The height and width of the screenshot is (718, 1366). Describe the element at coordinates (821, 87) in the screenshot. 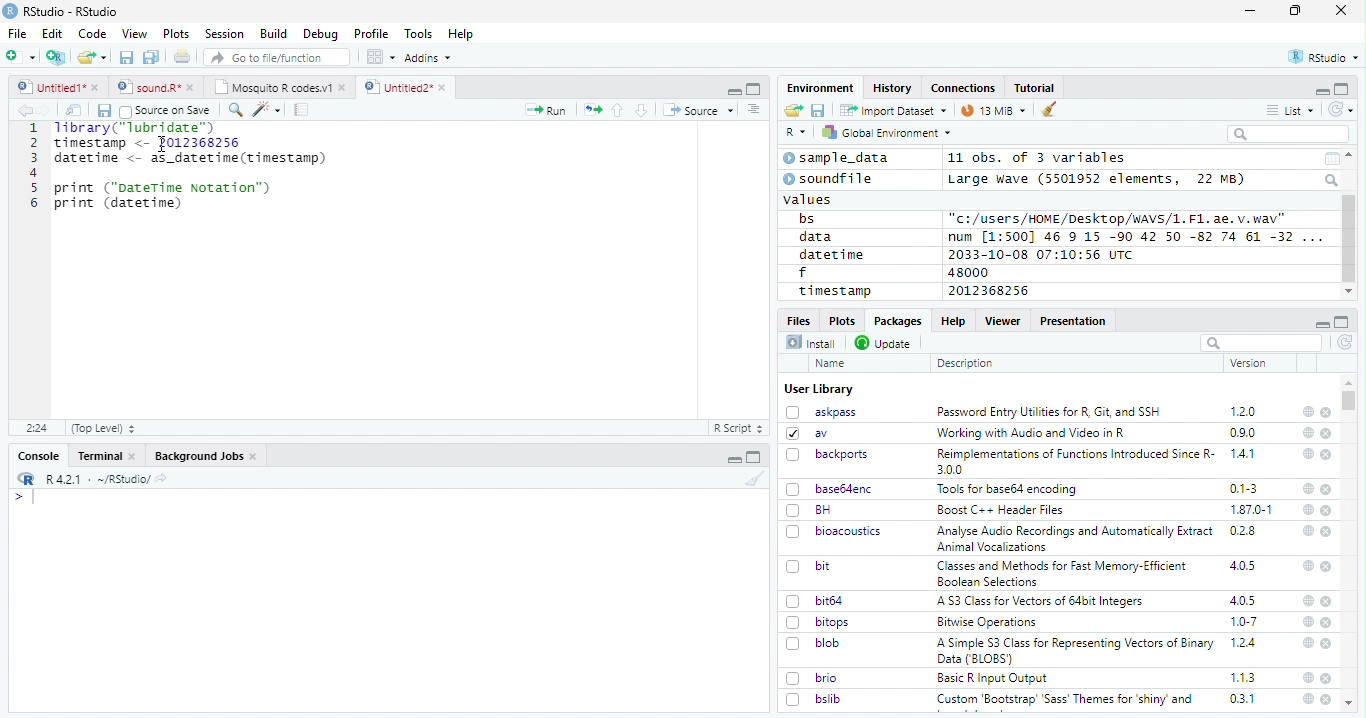

I see `Environment` at that location.